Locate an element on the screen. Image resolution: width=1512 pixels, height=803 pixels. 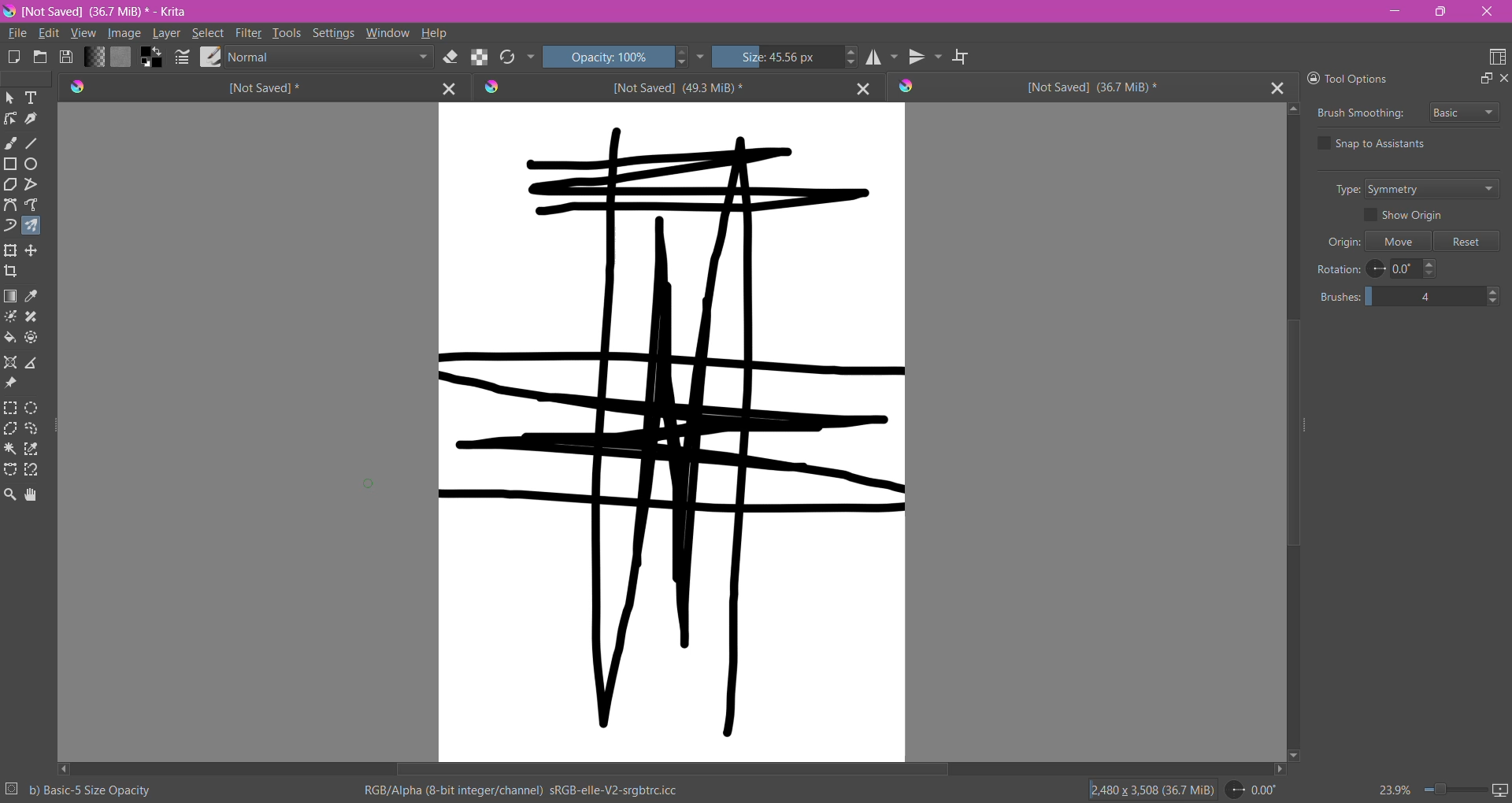
Wrap Around Mode is located at coordinates (962, 57).